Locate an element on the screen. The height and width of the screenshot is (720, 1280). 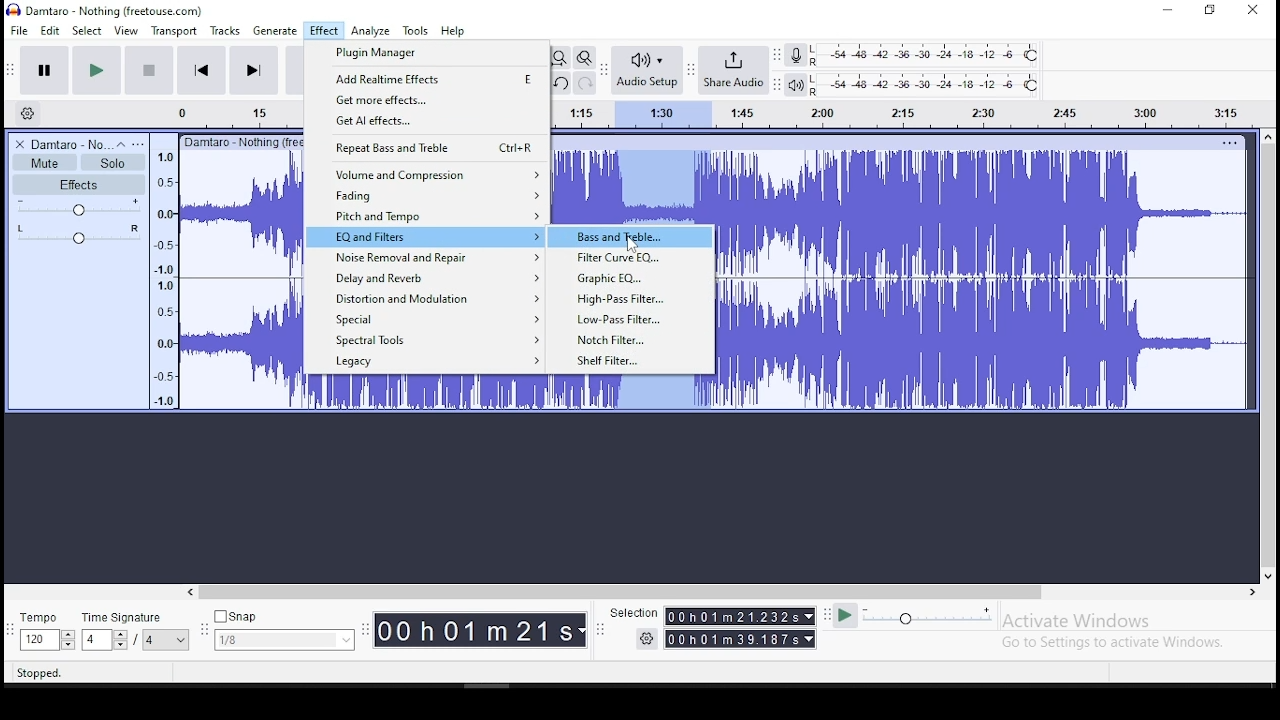
00 h 01 m 39.187s is located at coordinates (733, 639).